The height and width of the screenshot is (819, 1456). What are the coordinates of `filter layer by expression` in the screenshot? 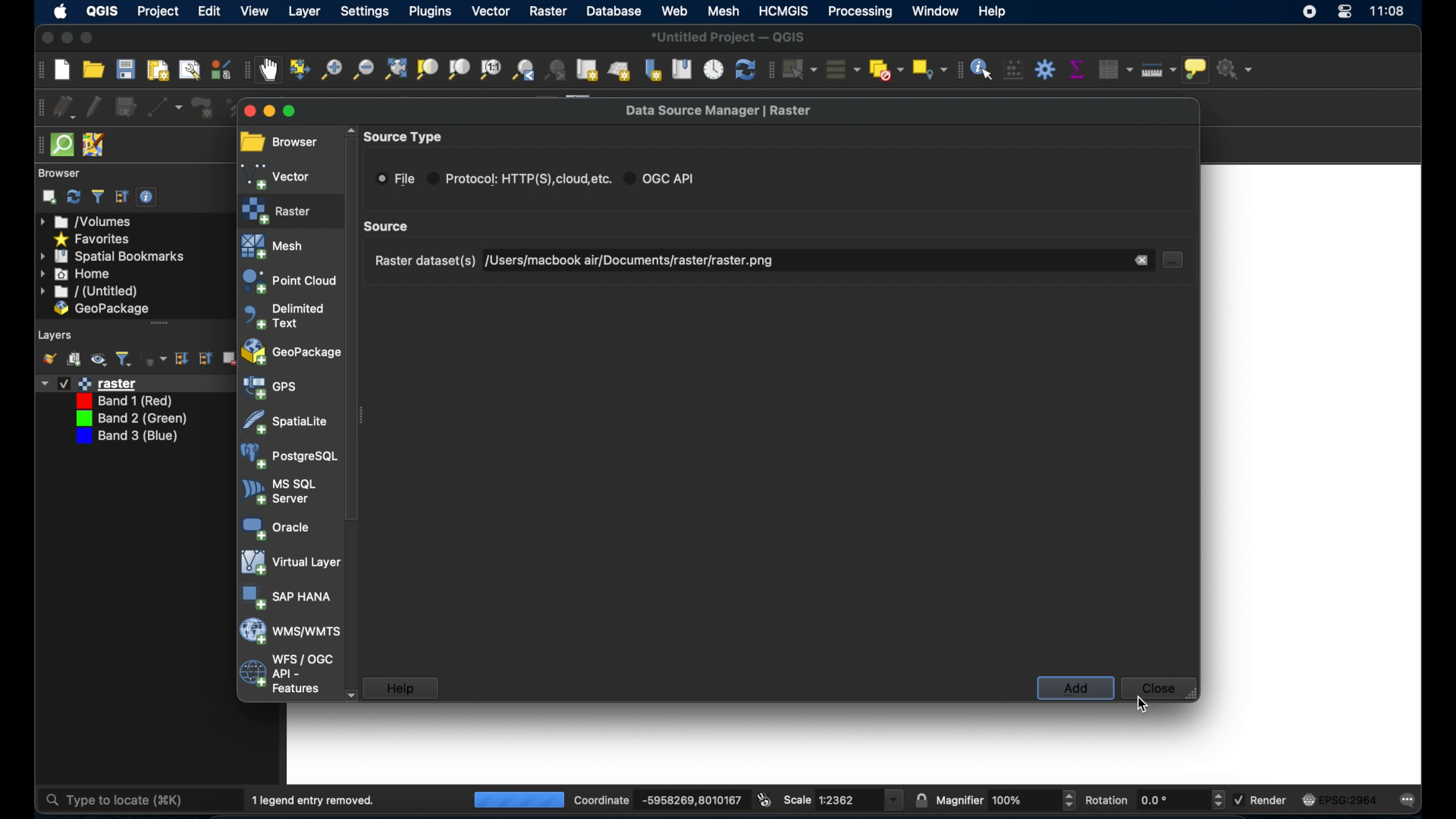 It's located at (154, 359).